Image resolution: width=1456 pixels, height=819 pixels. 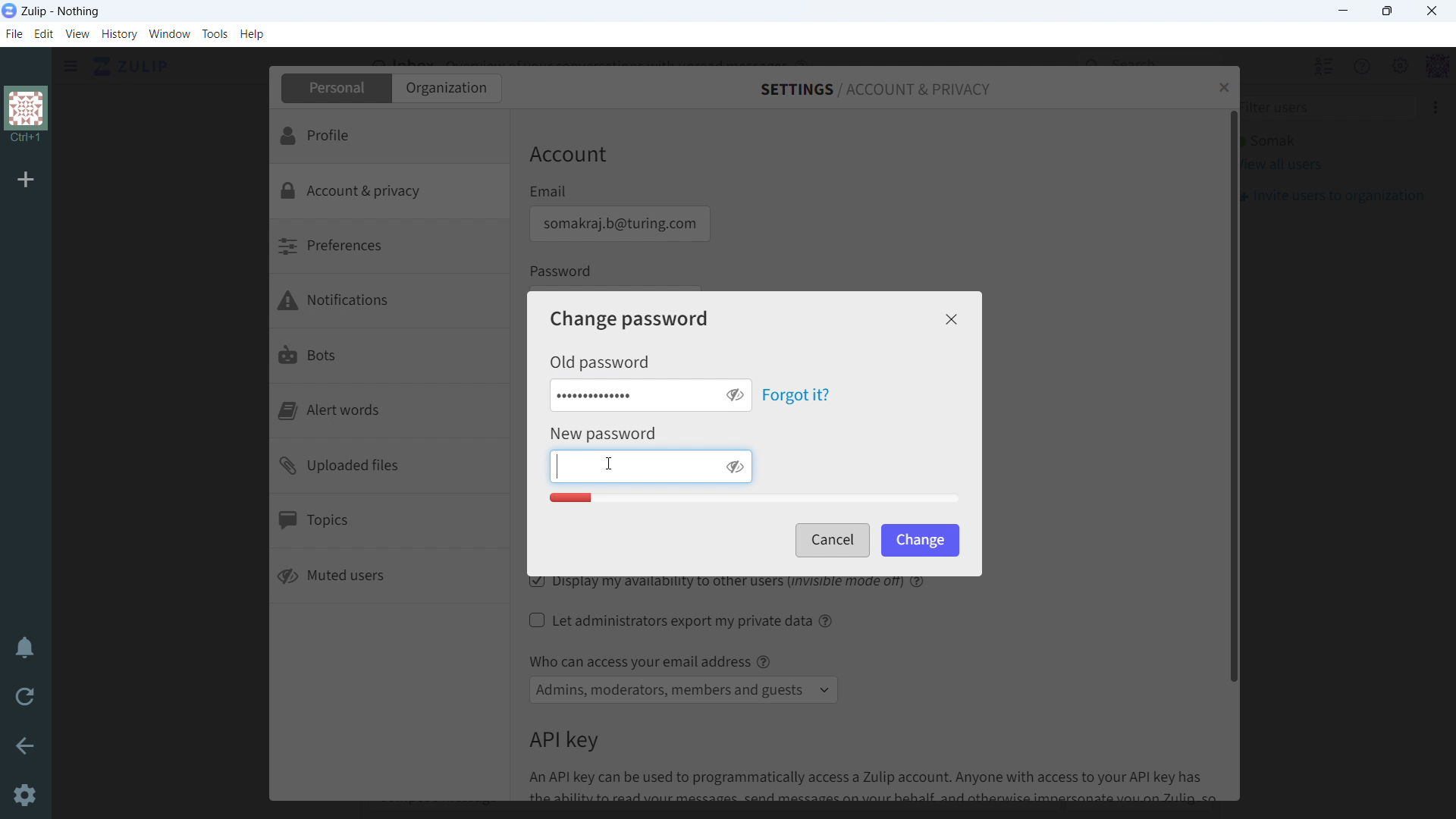 I want to click on settings/account & privacy, so click(x=876, y=90).